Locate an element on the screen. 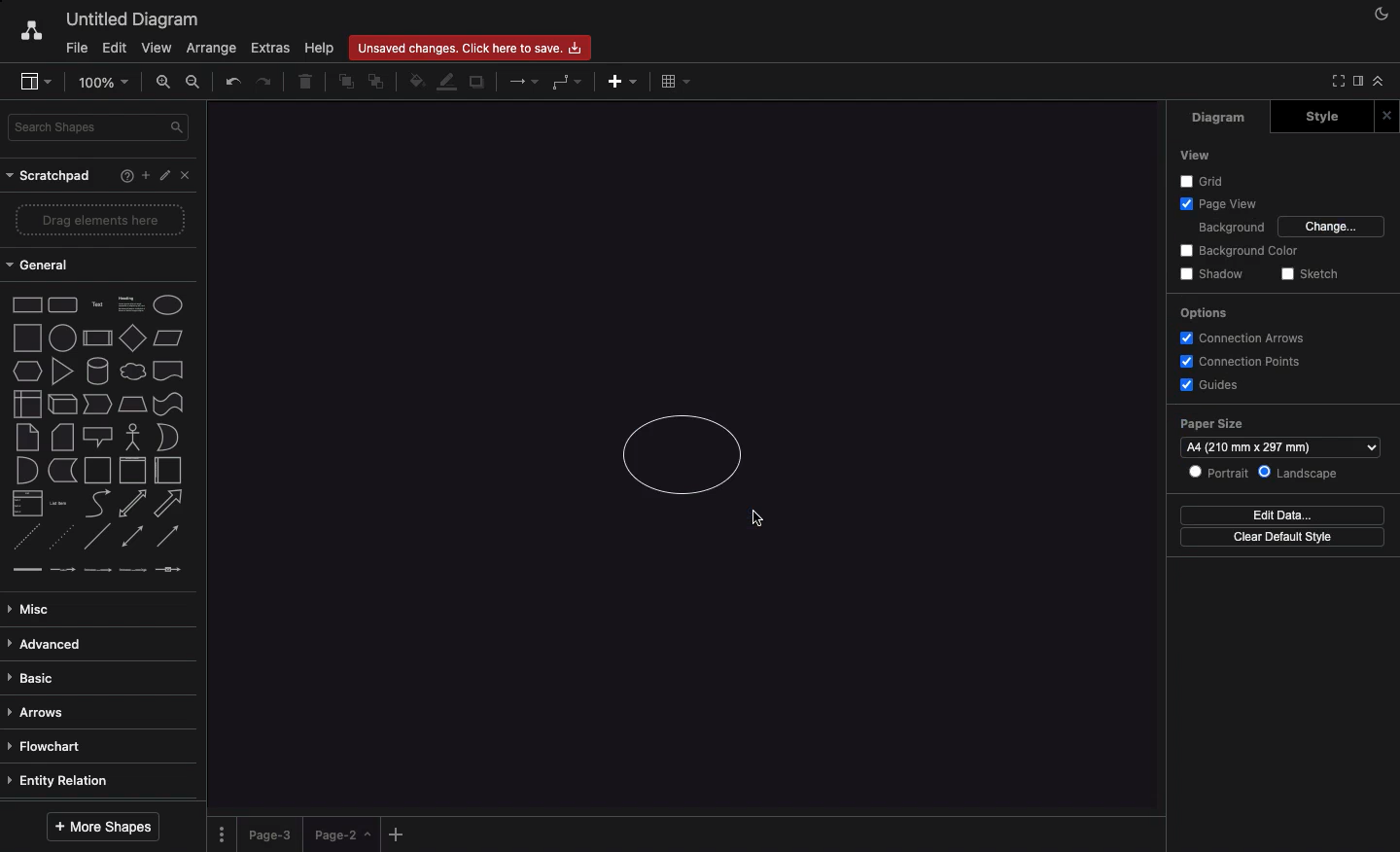  Line color is located at coordinates (444, 84).